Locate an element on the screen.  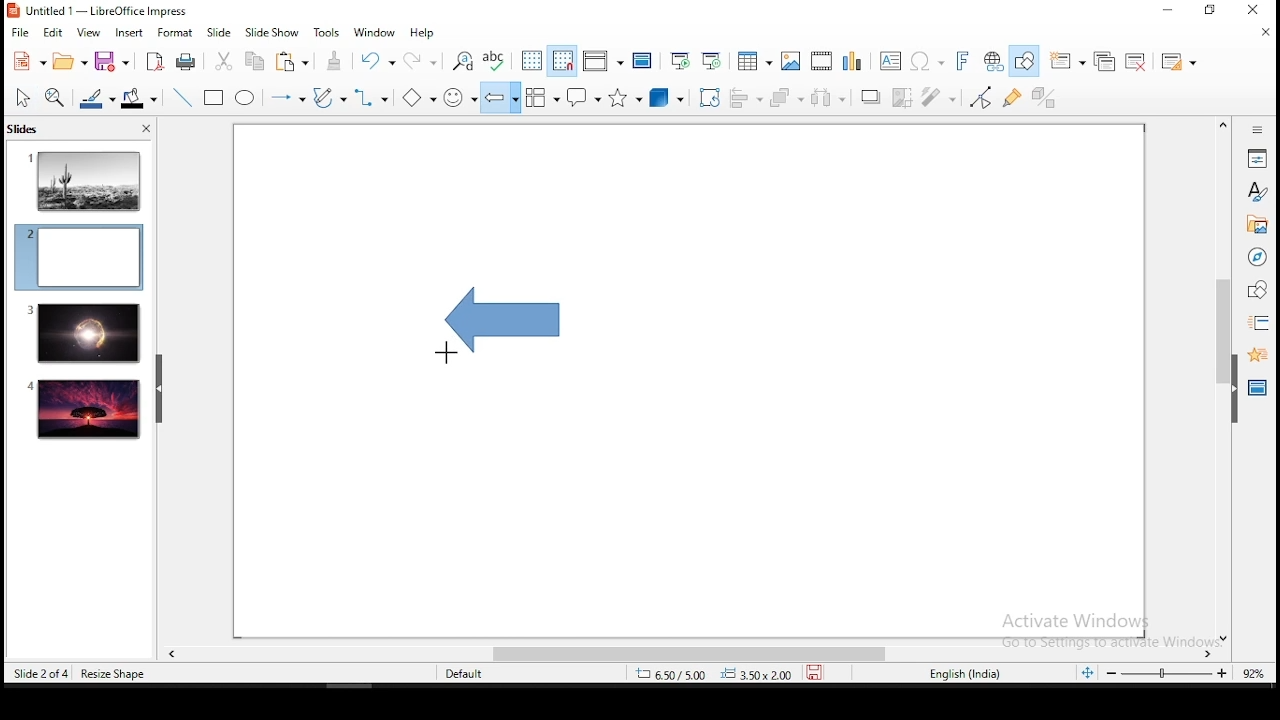
default is located at coordinates (466, 673).